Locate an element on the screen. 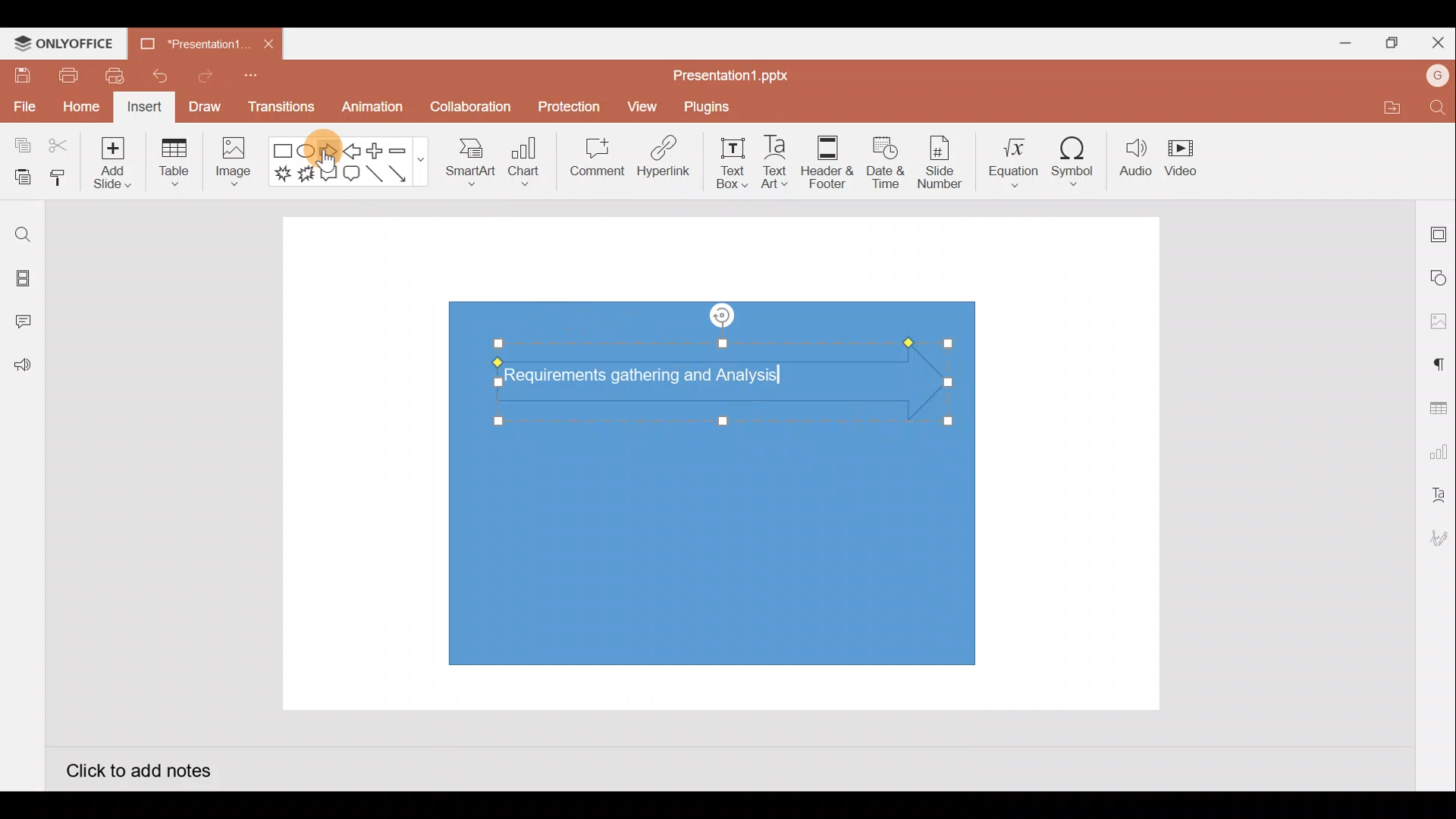 Image resolution: width=1456 pixels, height=819 pixels. Hyperlink is located at coordinates (660, 158).